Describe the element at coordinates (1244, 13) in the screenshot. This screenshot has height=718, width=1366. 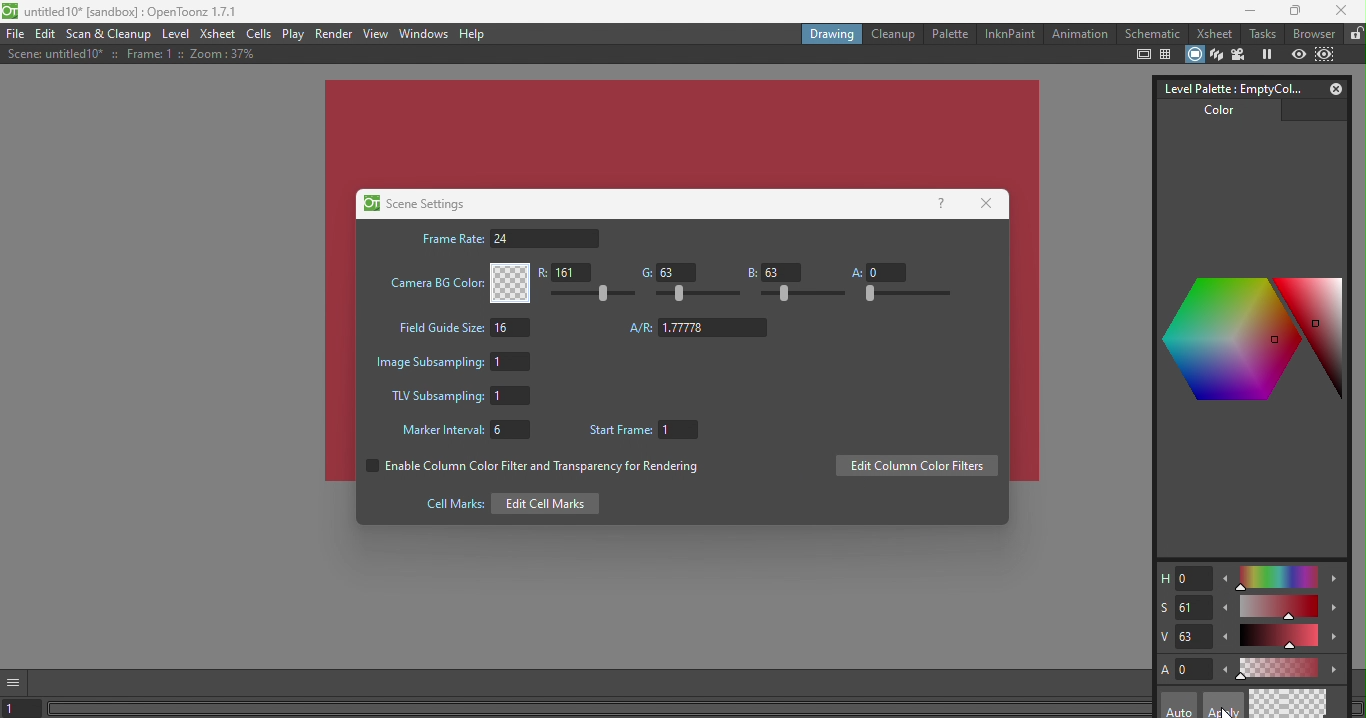
I see `Minimize` at that location.